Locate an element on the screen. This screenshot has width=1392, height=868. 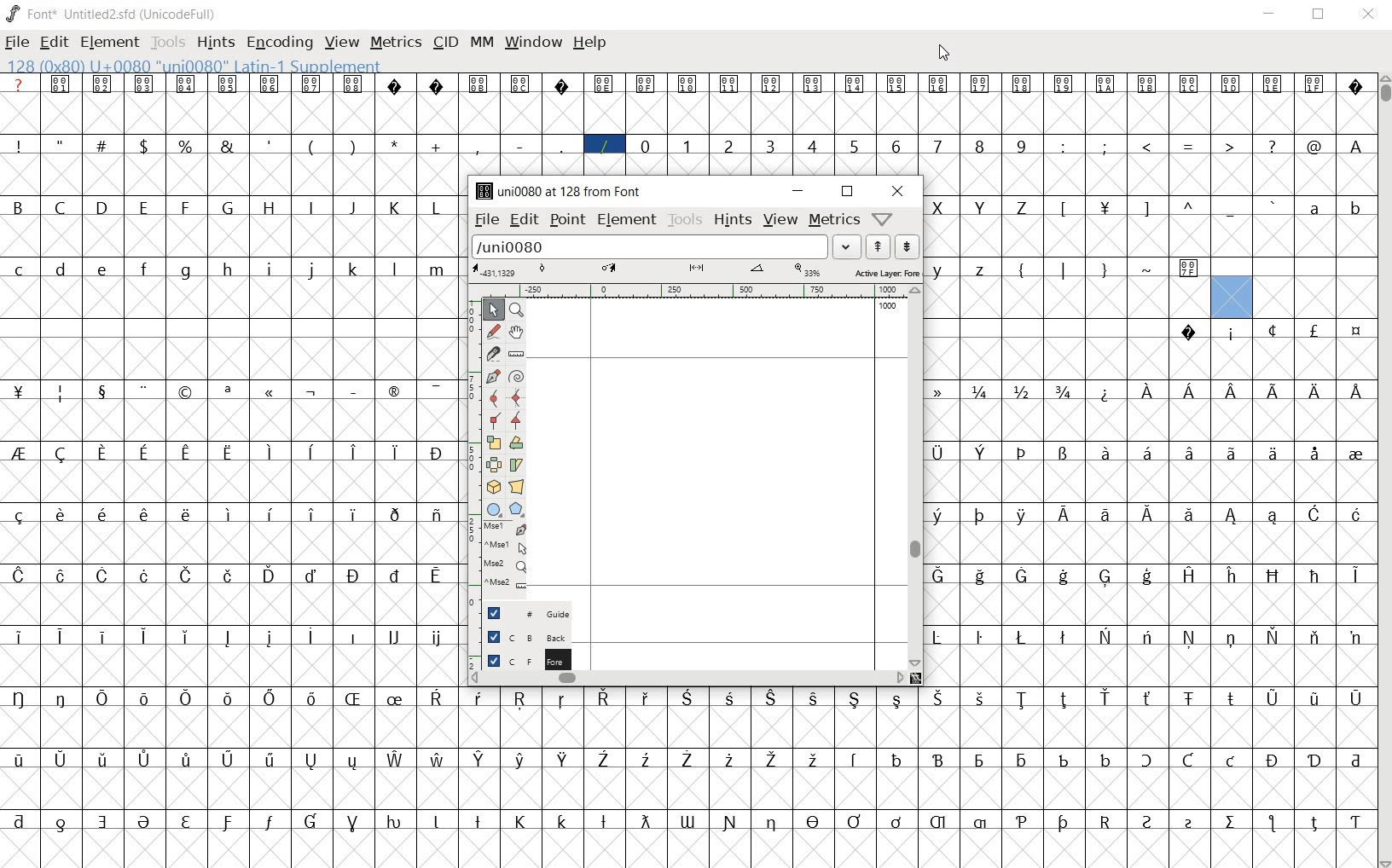
resize is located at coordinates (917, 678).